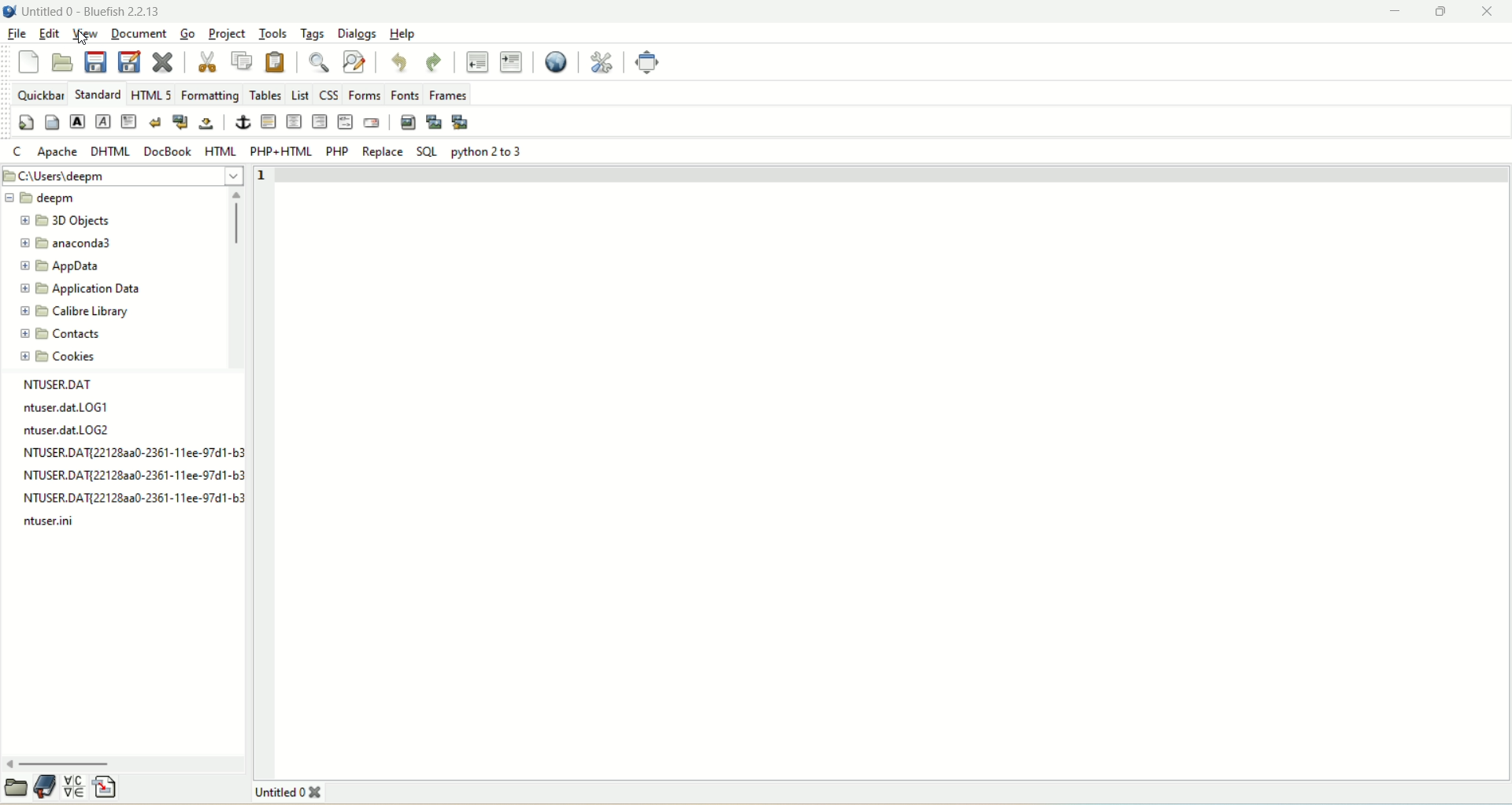  What do you see at coordinates (373, 122) in the screenshot?
I see `email` at bounding box center [373, 122].